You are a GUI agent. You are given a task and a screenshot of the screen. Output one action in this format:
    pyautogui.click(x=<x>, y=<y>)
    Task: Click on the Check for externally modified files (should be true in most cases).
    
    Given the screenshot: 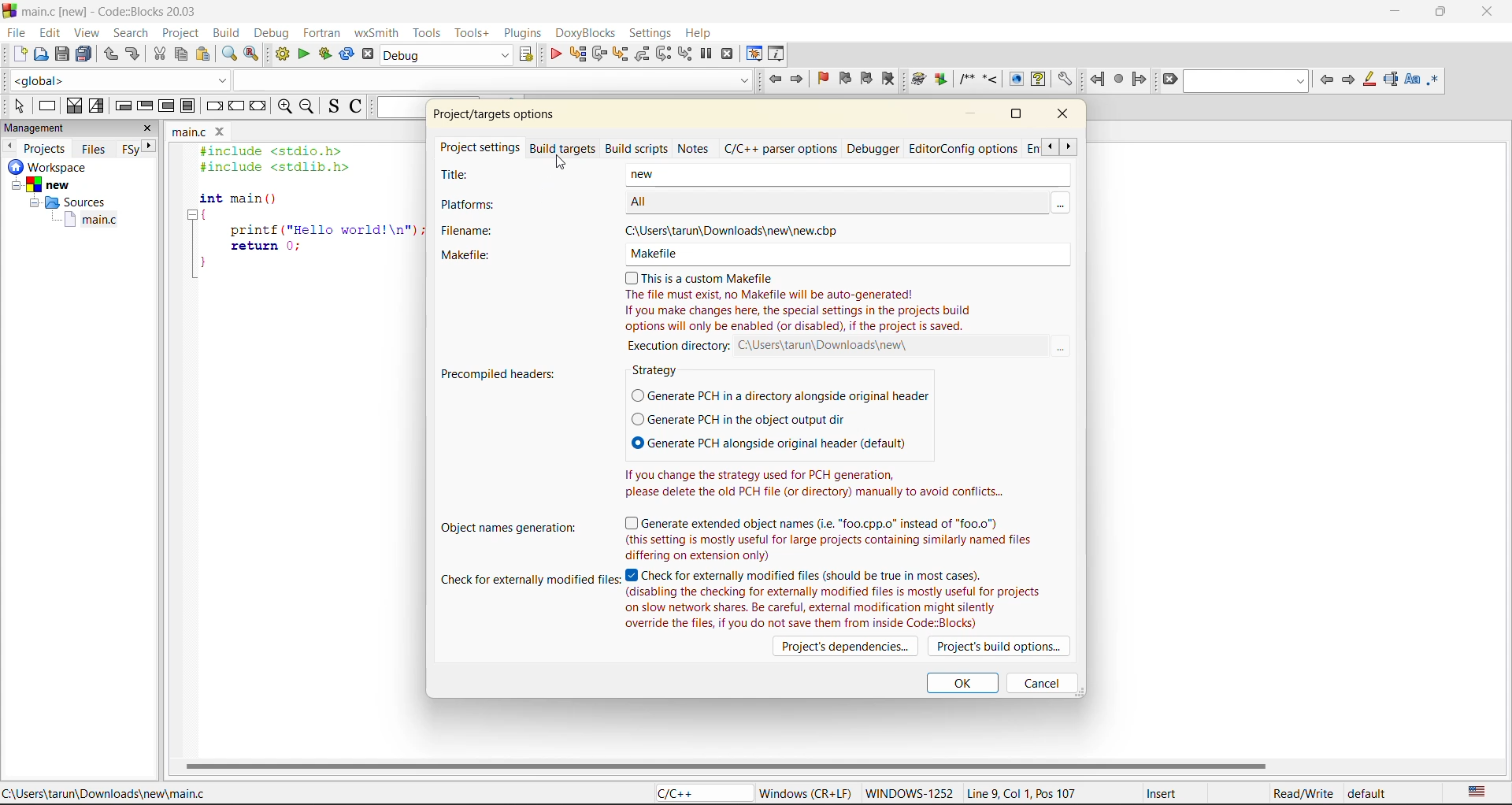 What is the action you would take?
    pyautogui.click(x=811, y=575)
    